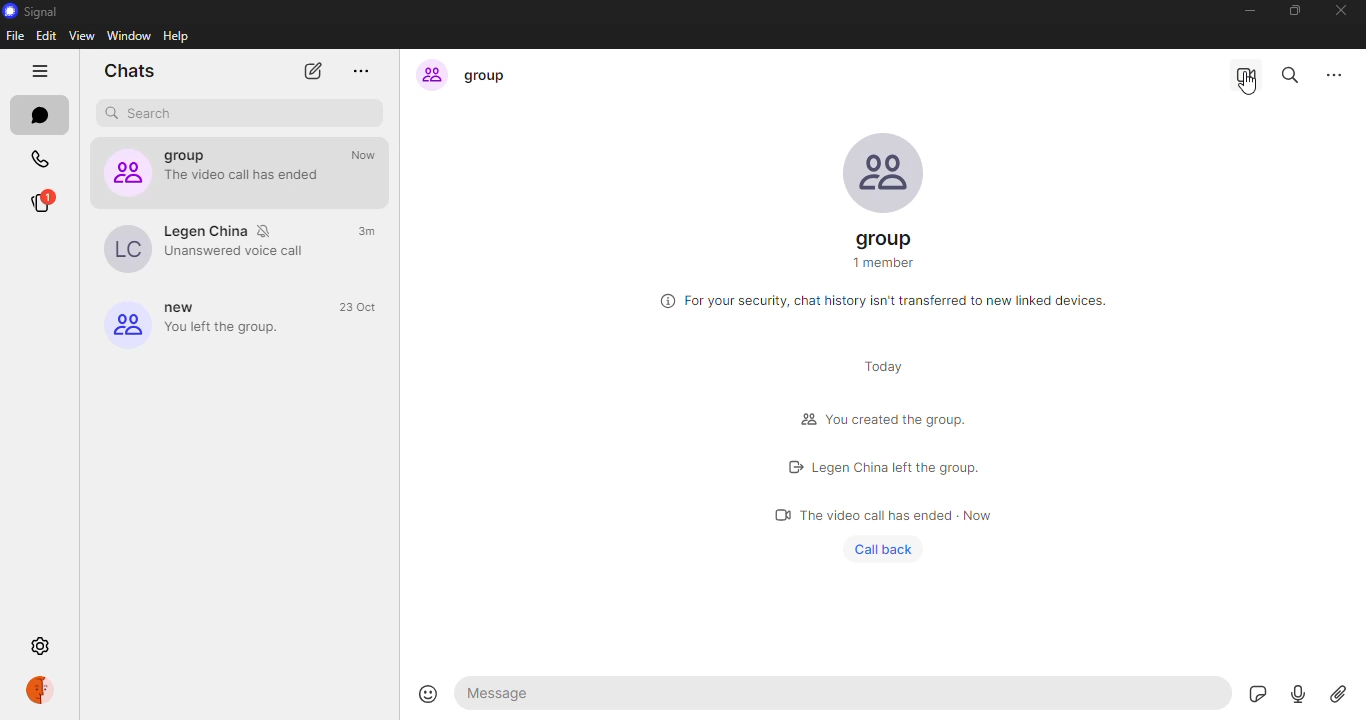 The height and width of the screenshot is (720, 1366). Describe the element at coordinates (793, 468) in the screenshot. I see `left logo` at that location.